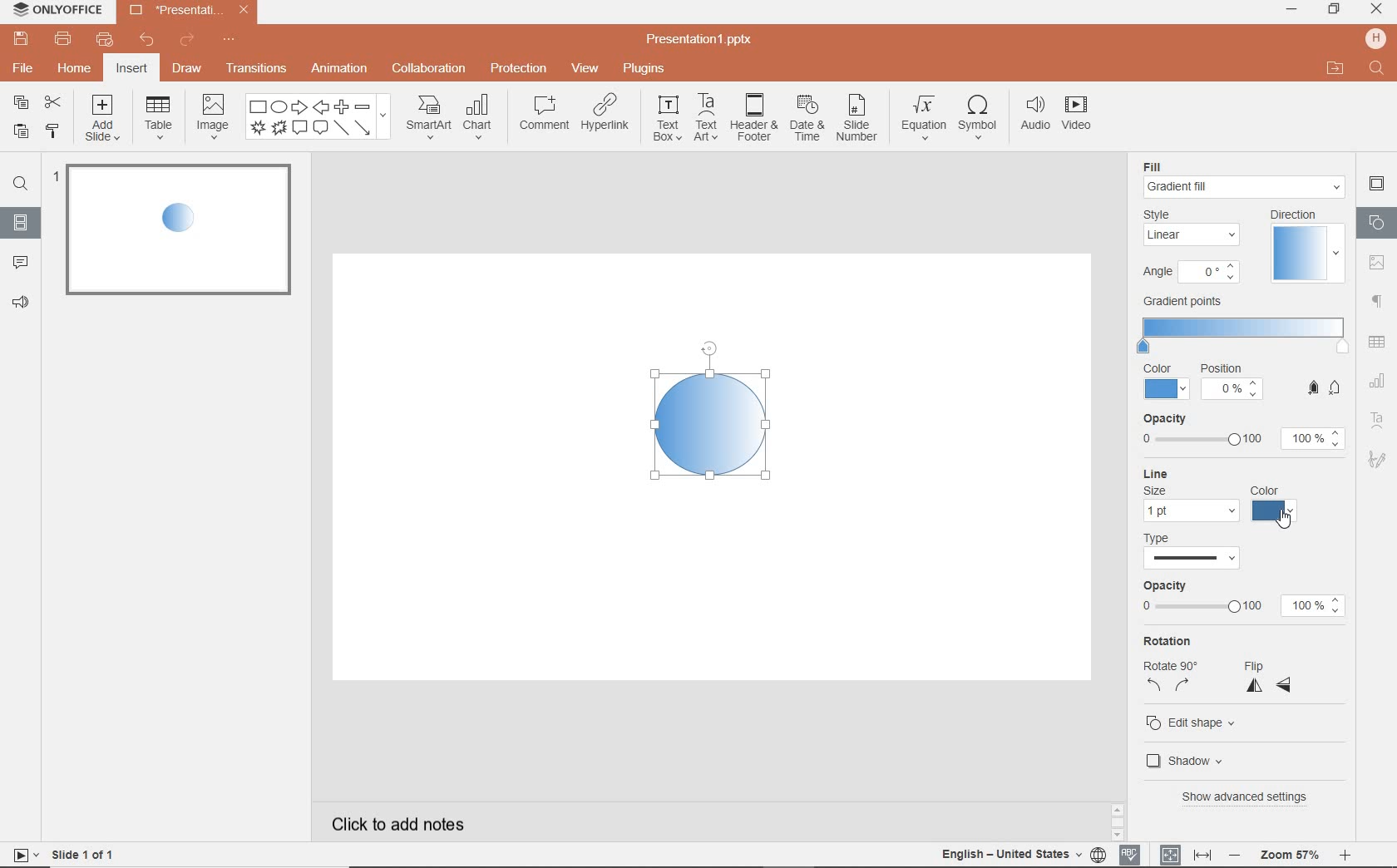 This screenshot has height=868, width=1397. Describe the element at coordinates (1243, 327) in the screenshot. I see `gradient points` at that location.